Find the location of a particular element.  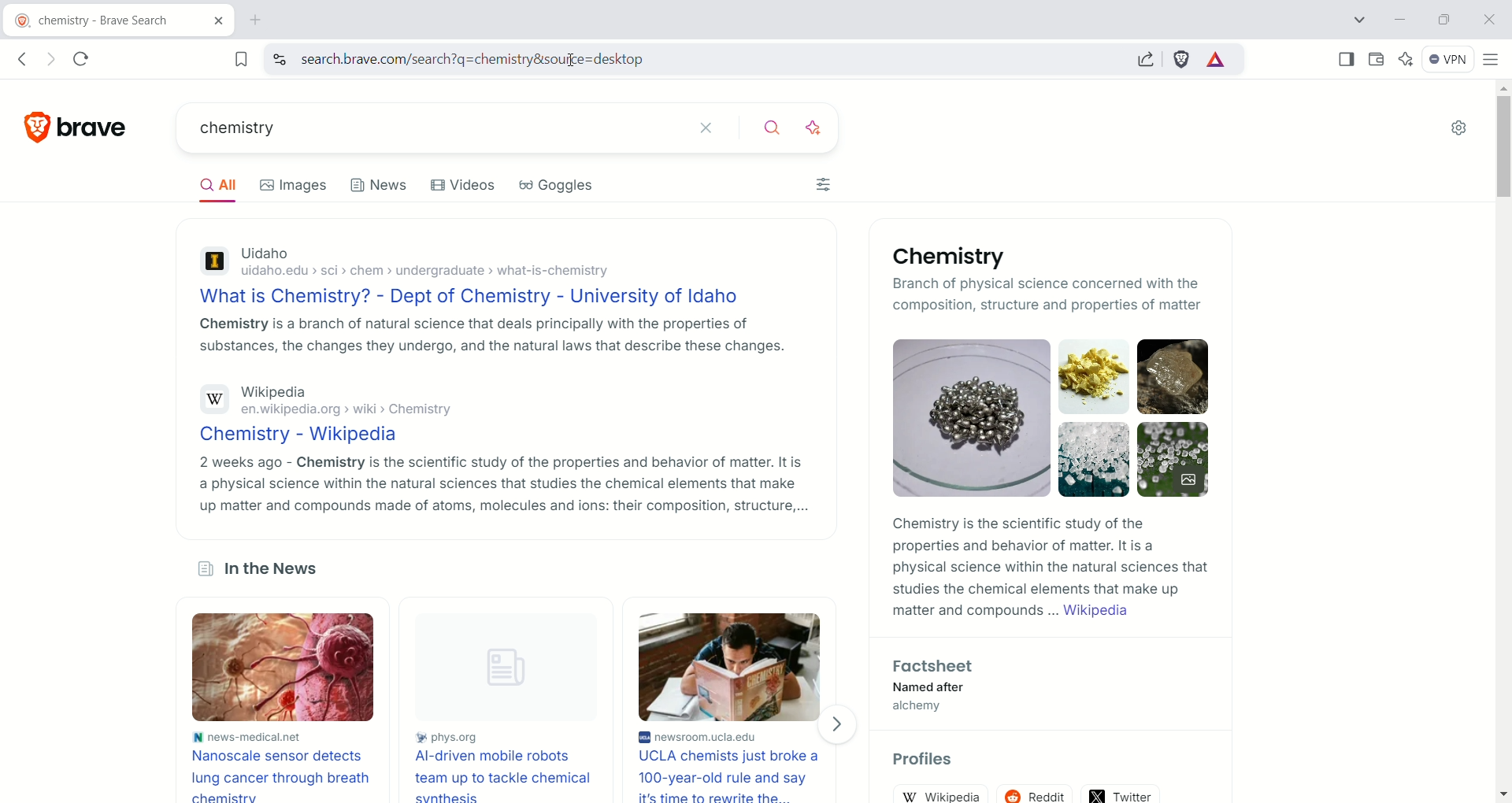

goggles is located at coordinates (555, 186).